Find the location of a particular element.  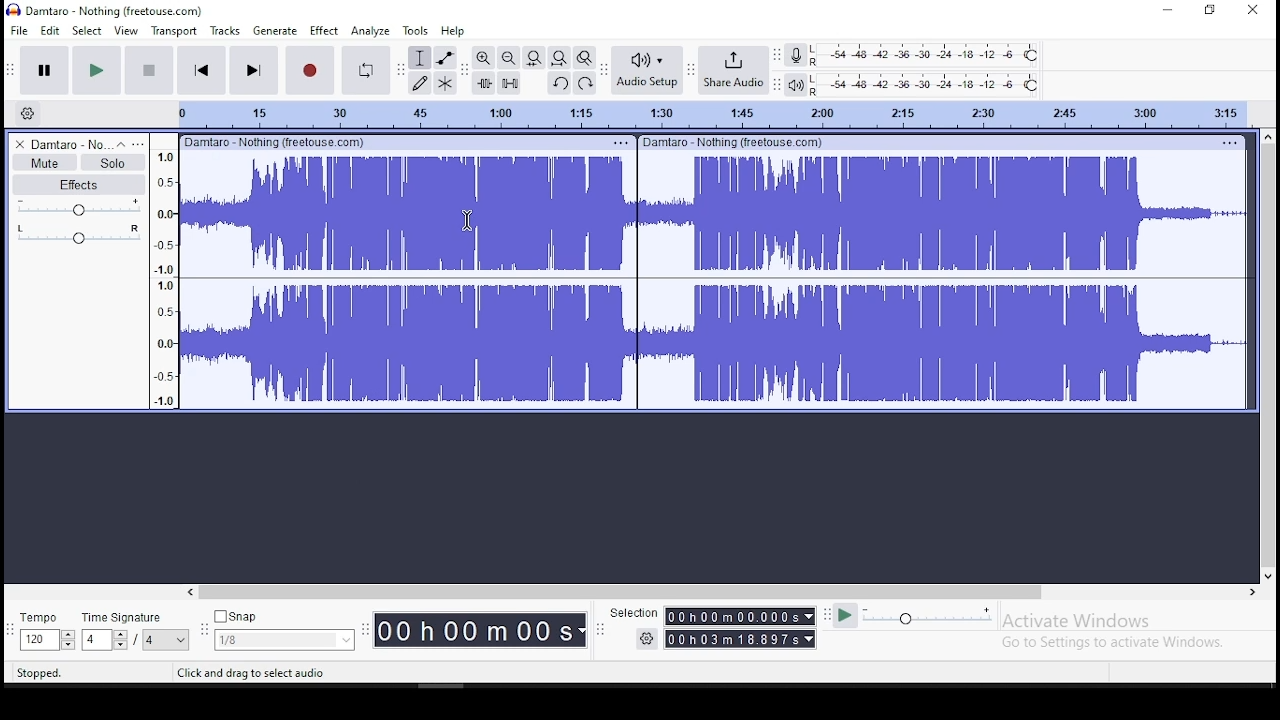

tempo toggle buttons is located at coordinates (48, 640).